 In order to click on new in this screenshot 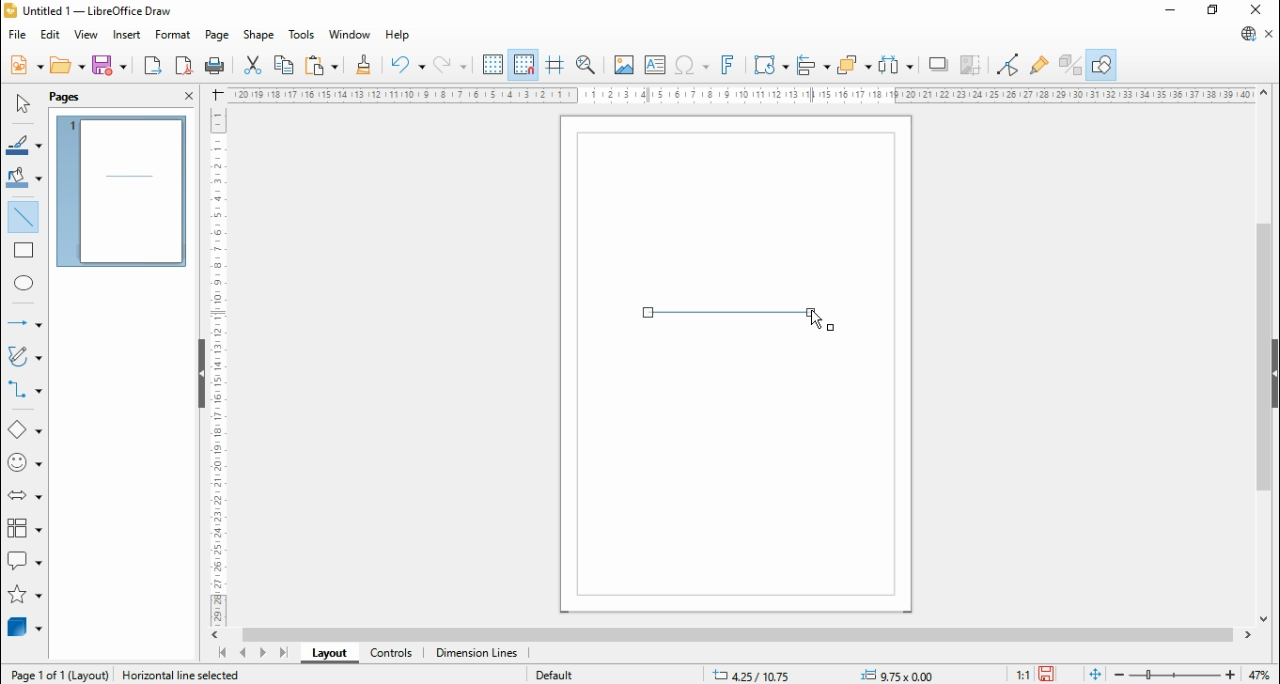, I will do `click(25, 66)`.